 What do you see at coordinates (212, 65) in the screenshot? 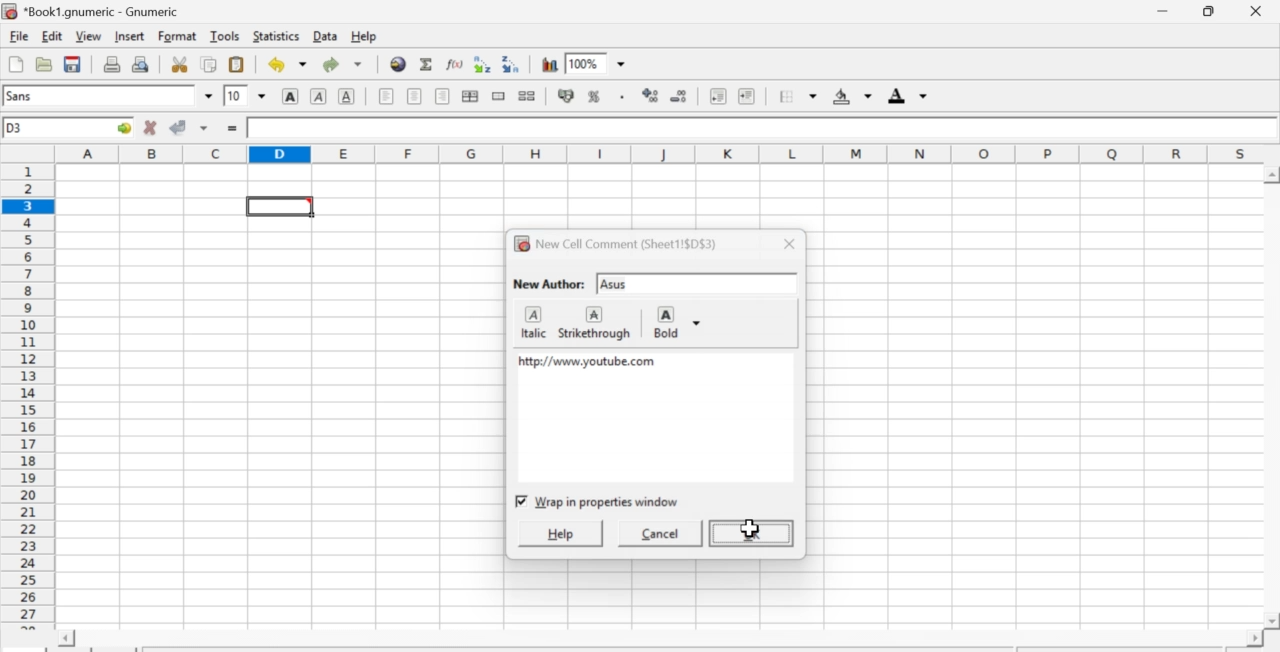
I see `Copy` at bounding box center [212, 65].